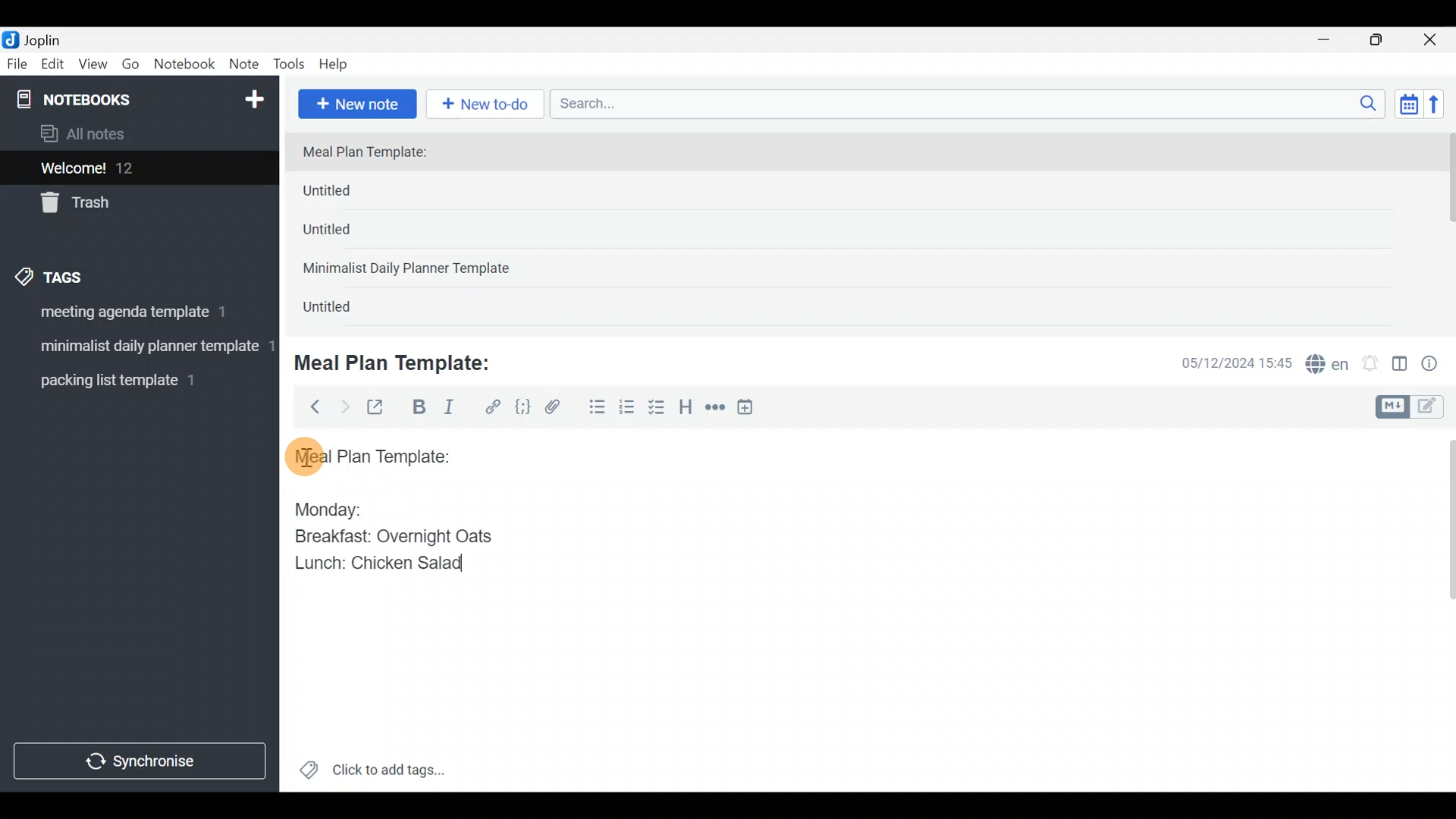  Describe the element at coordinates (1371, 365) in the screenshot. I see `Set alarm` at that location.